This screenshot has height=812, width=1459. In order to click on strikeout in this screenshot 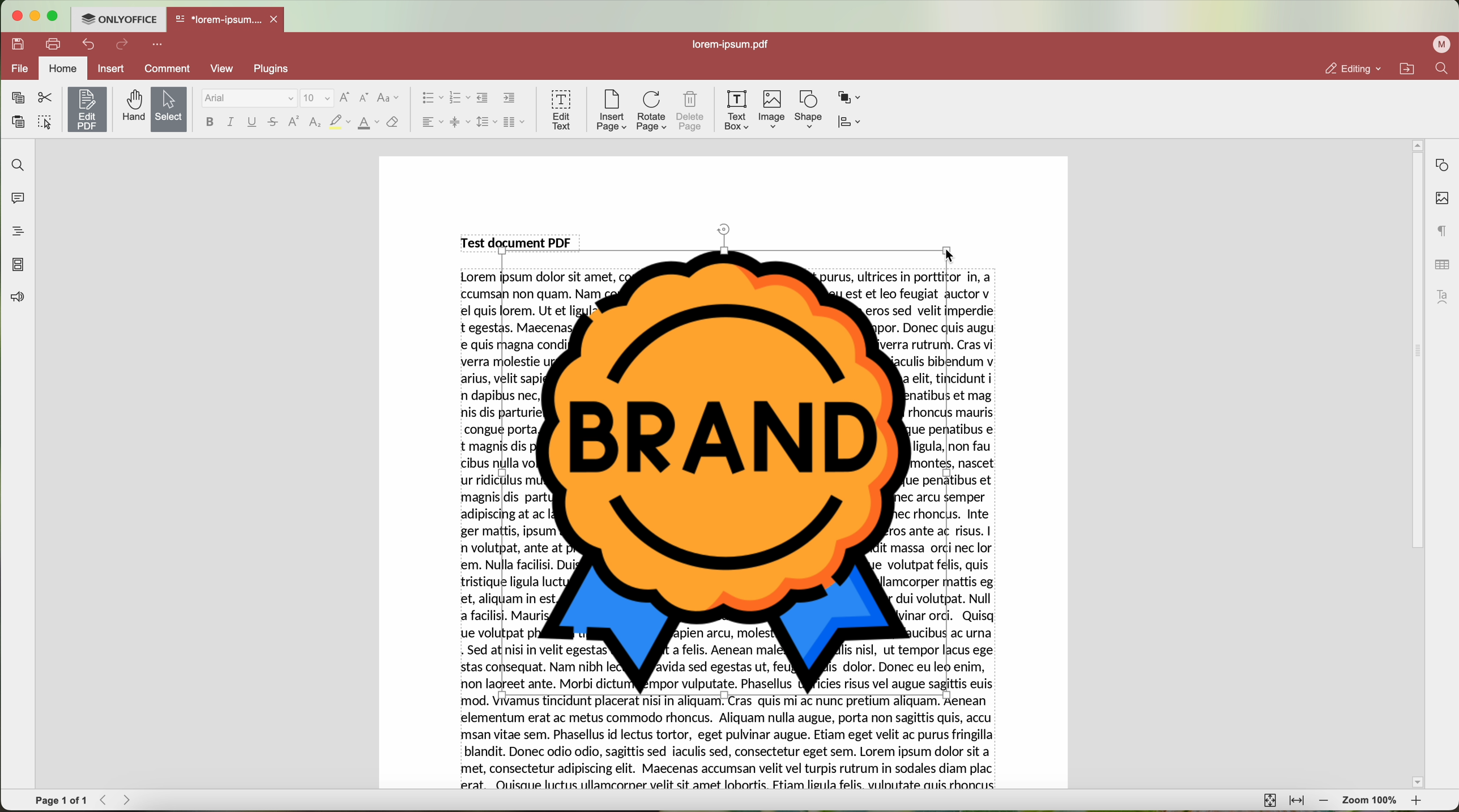, I will do `click(274, 123)`.